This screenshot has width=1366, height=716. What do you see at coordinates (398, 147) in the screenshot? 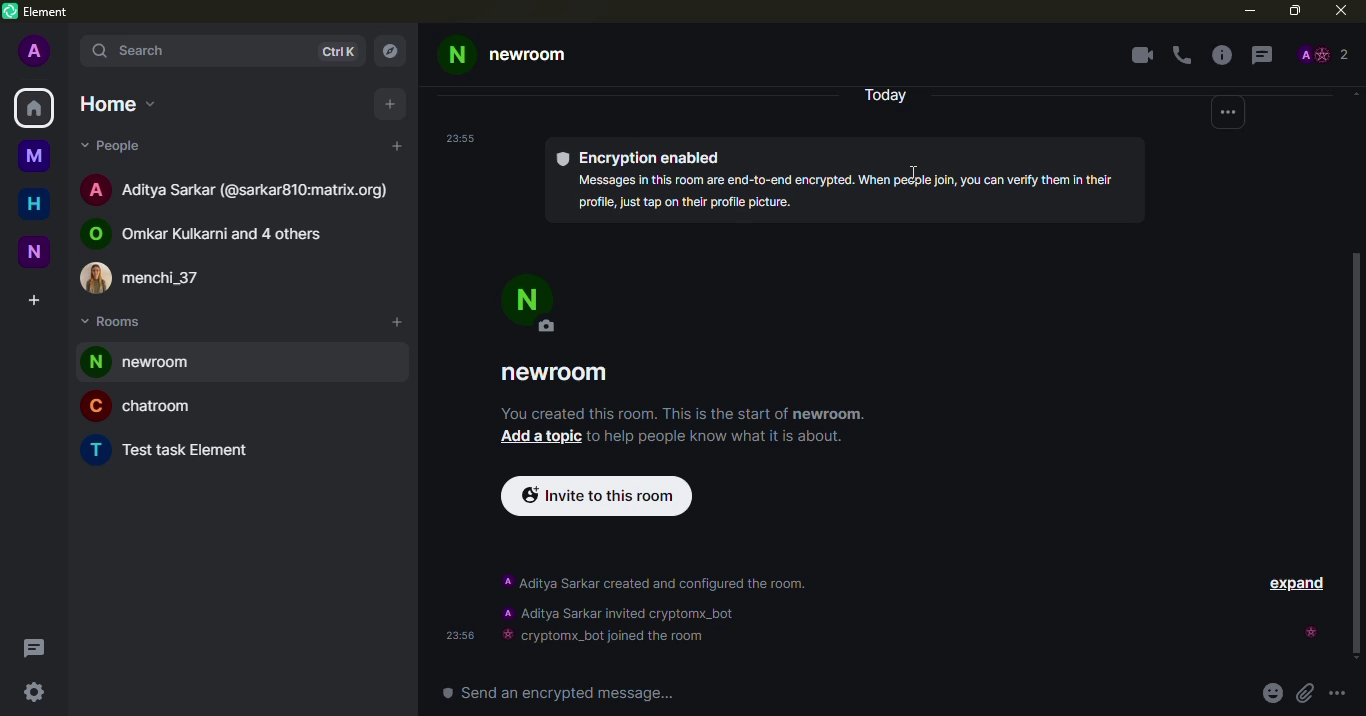
I see `add` at bounding box center [398, 147].